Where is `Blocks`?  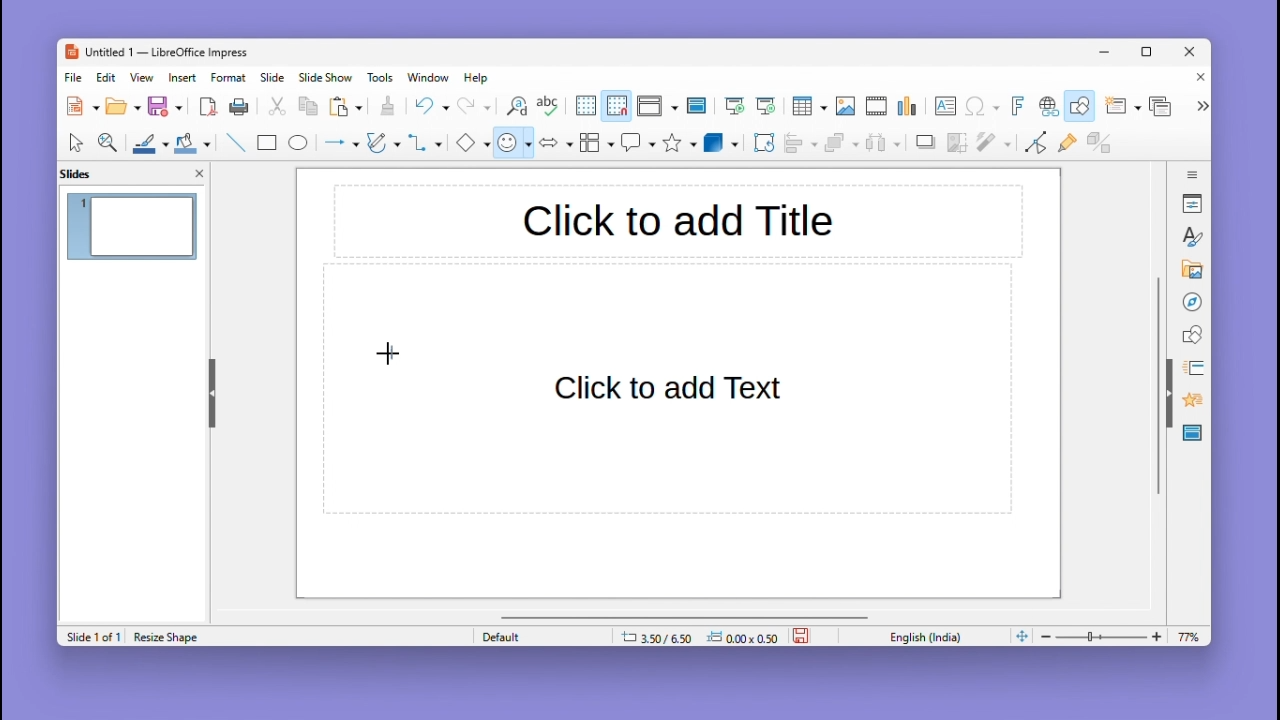
Blocks is located at coordinates (597, 142).